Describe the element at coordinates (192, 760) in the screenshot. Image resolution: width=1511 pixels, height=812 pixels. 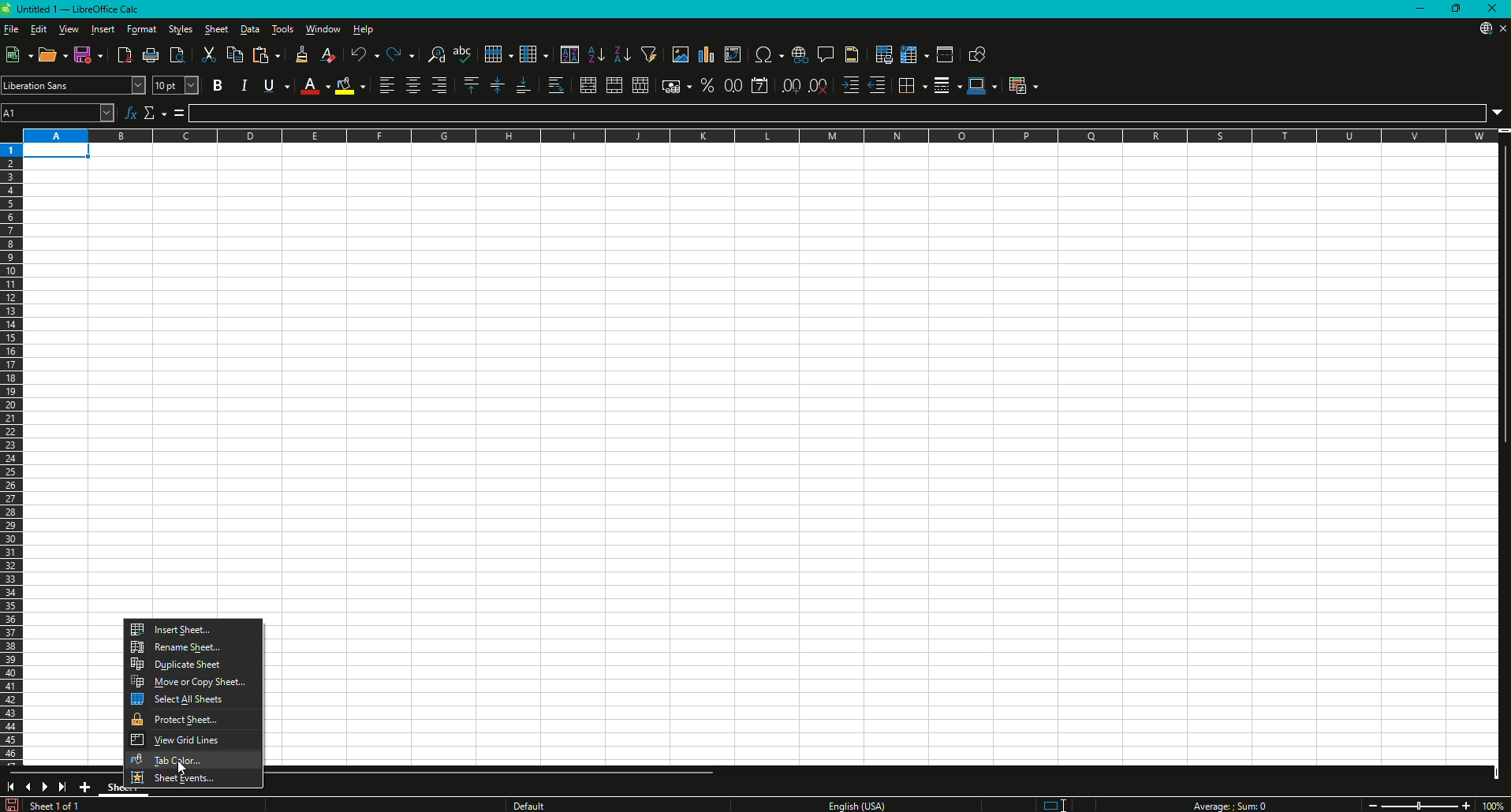
I see `Tab Color` at that location.